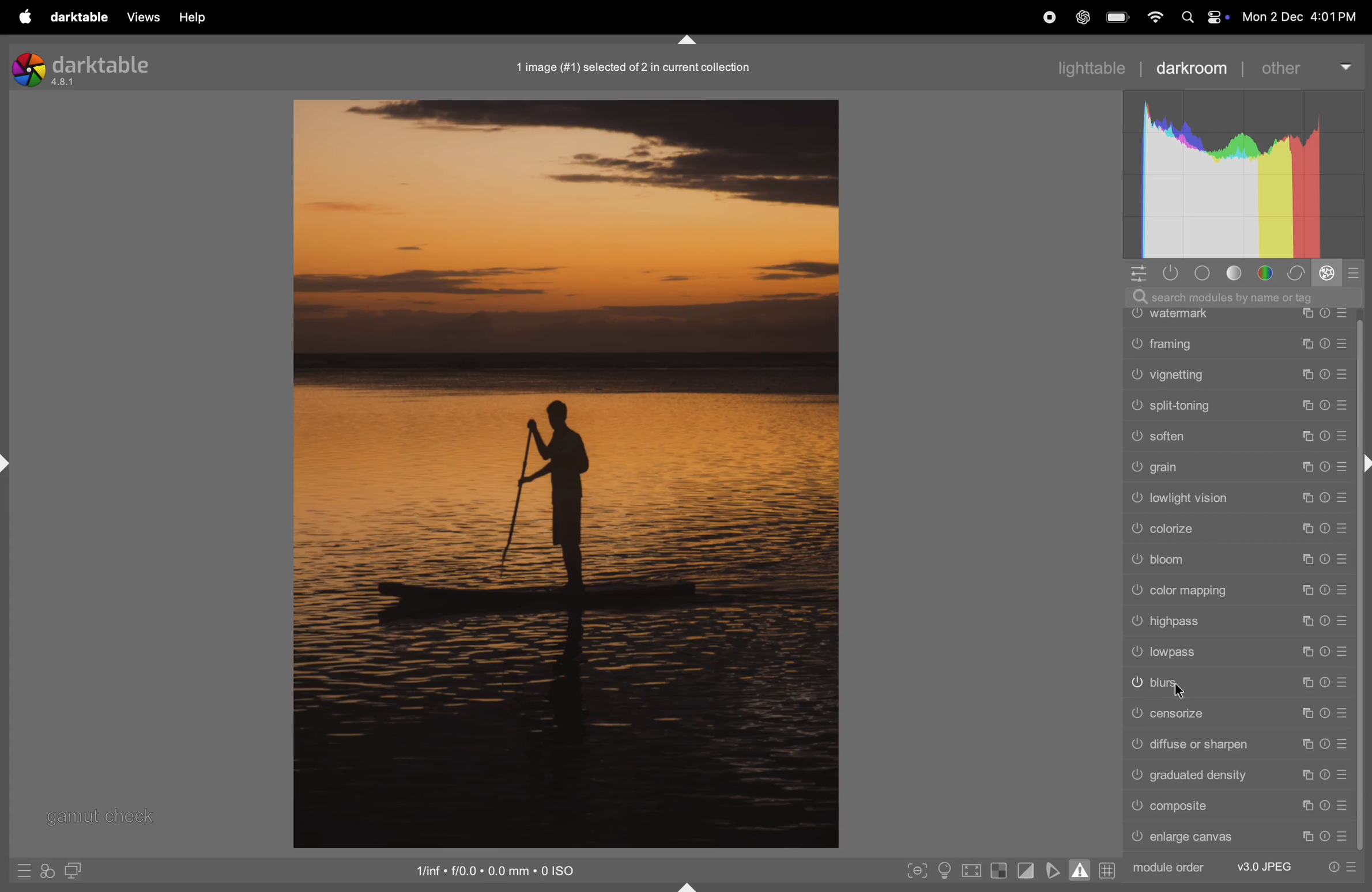 This screenshot has width=1372, height=892. What do you see at coordinates (80, 17) in the screenshot?
I see `darktable` at bounding box center [80, 17].